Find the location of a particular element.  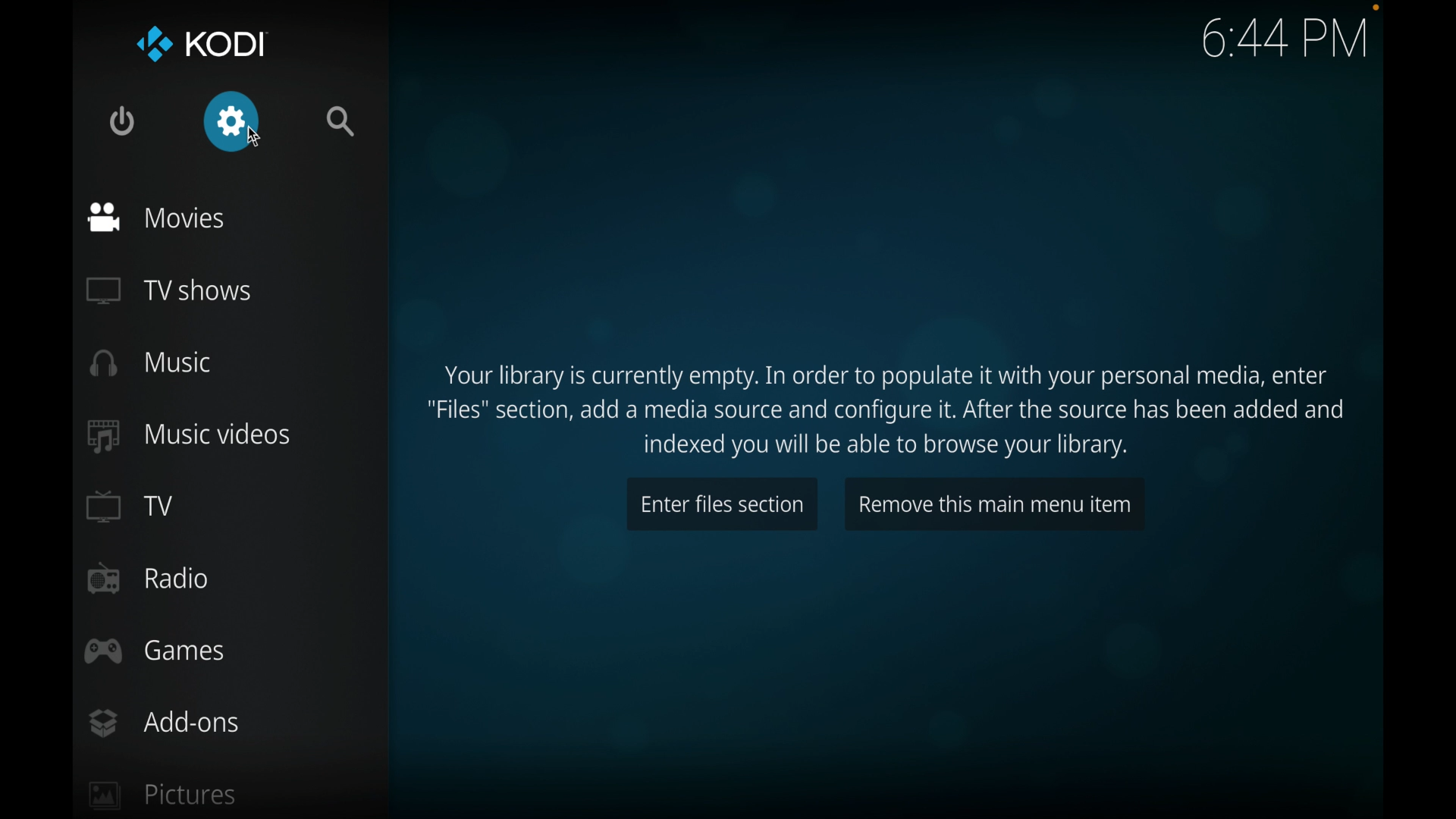

time is located at coordinates (1288, 39).